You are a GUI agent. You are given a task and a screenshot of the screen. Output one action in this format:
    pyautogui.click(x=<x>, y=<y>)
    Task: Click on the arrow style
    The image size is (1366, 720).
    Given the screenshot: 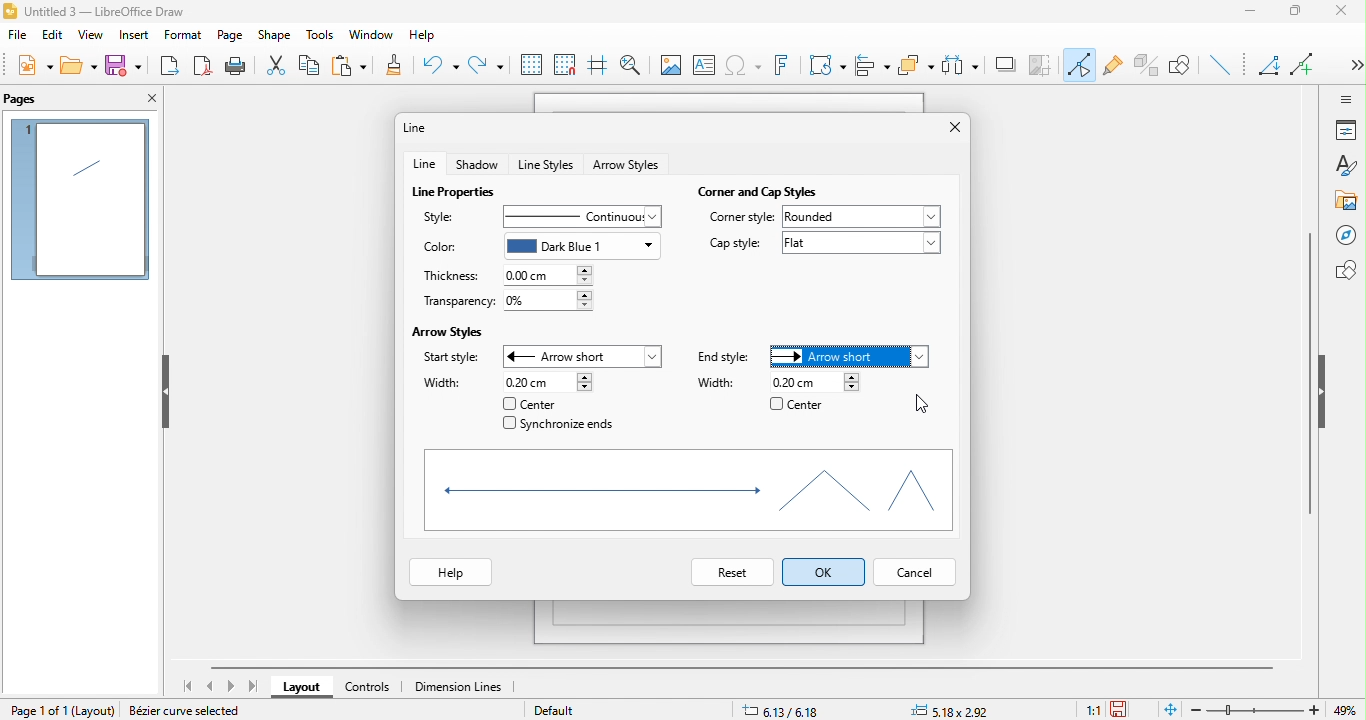 What is the action you would take?
    pyautogui.click(x=628, y=166)
    